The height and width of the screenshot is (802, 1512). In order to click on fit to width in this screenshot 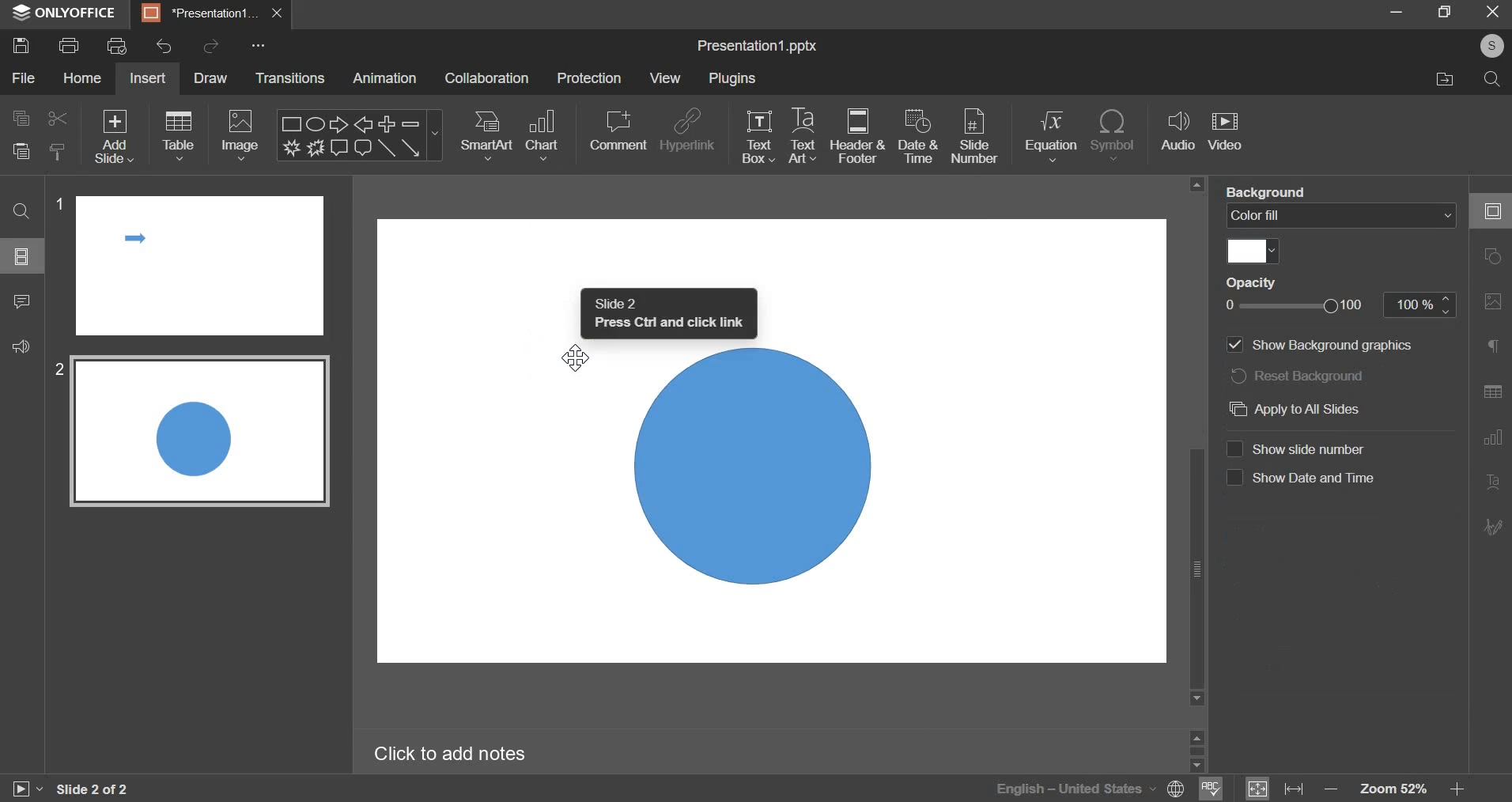, I will do `click(1295, 789)`.